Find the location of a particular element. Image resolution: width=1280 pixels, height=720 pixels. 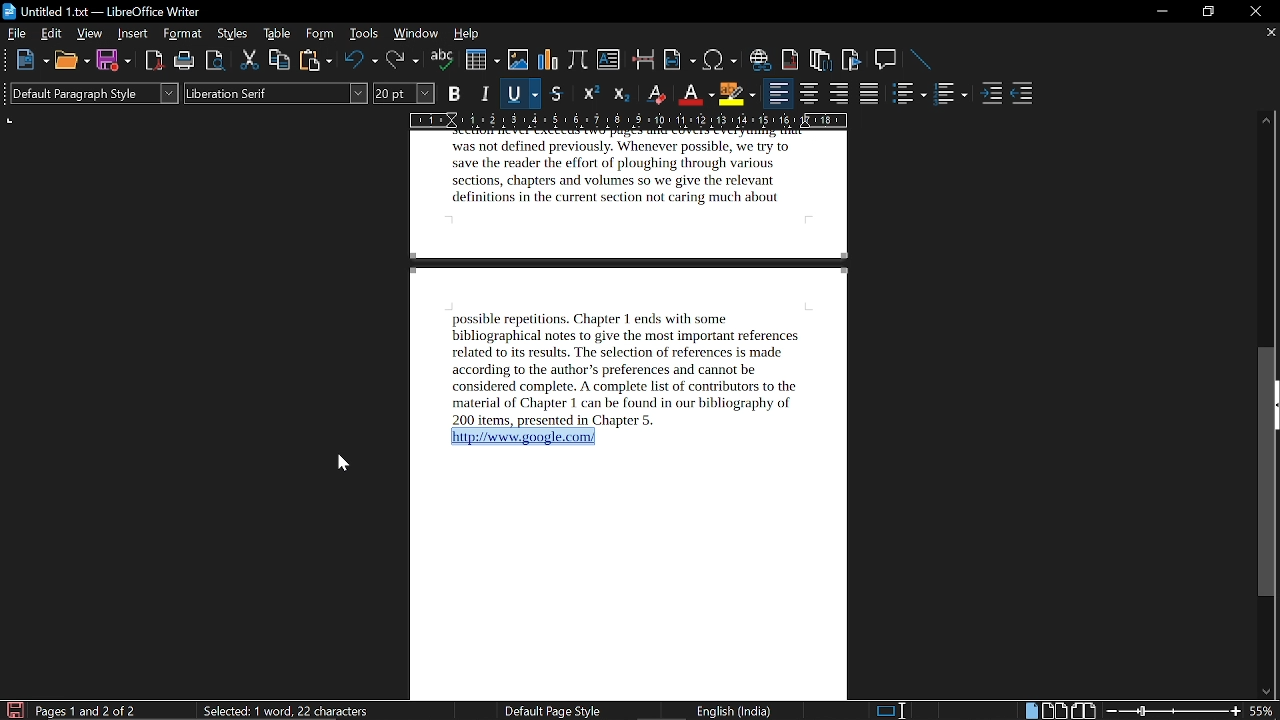

format is located at coordinates (183, 34).